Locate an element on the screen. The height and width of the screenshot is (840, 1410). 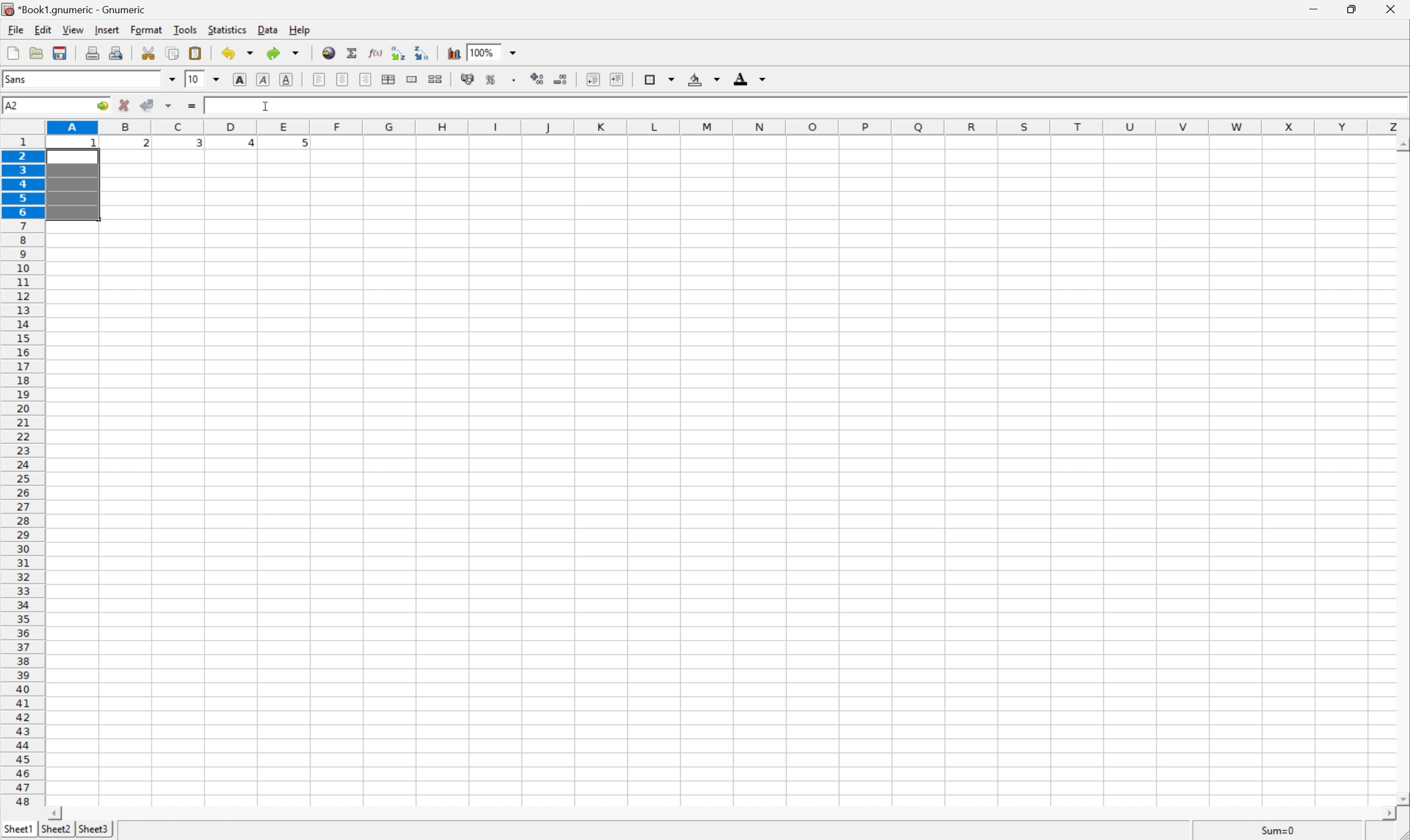
sum=0 is located at coordinates (1269, 830).